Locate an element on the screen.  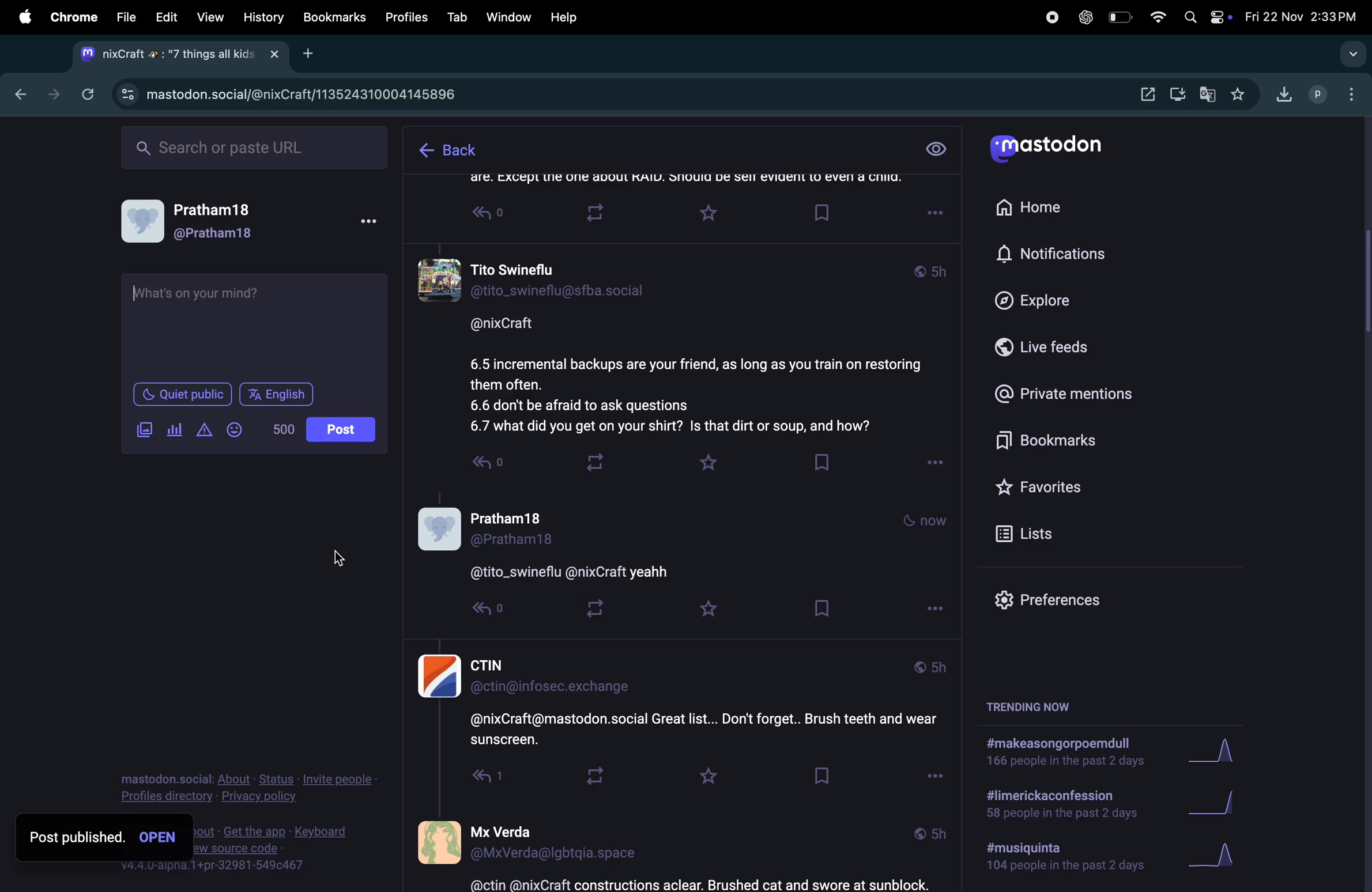
#musiquinta
104 people in the past 2 days is located at coordinates (1059, 860).